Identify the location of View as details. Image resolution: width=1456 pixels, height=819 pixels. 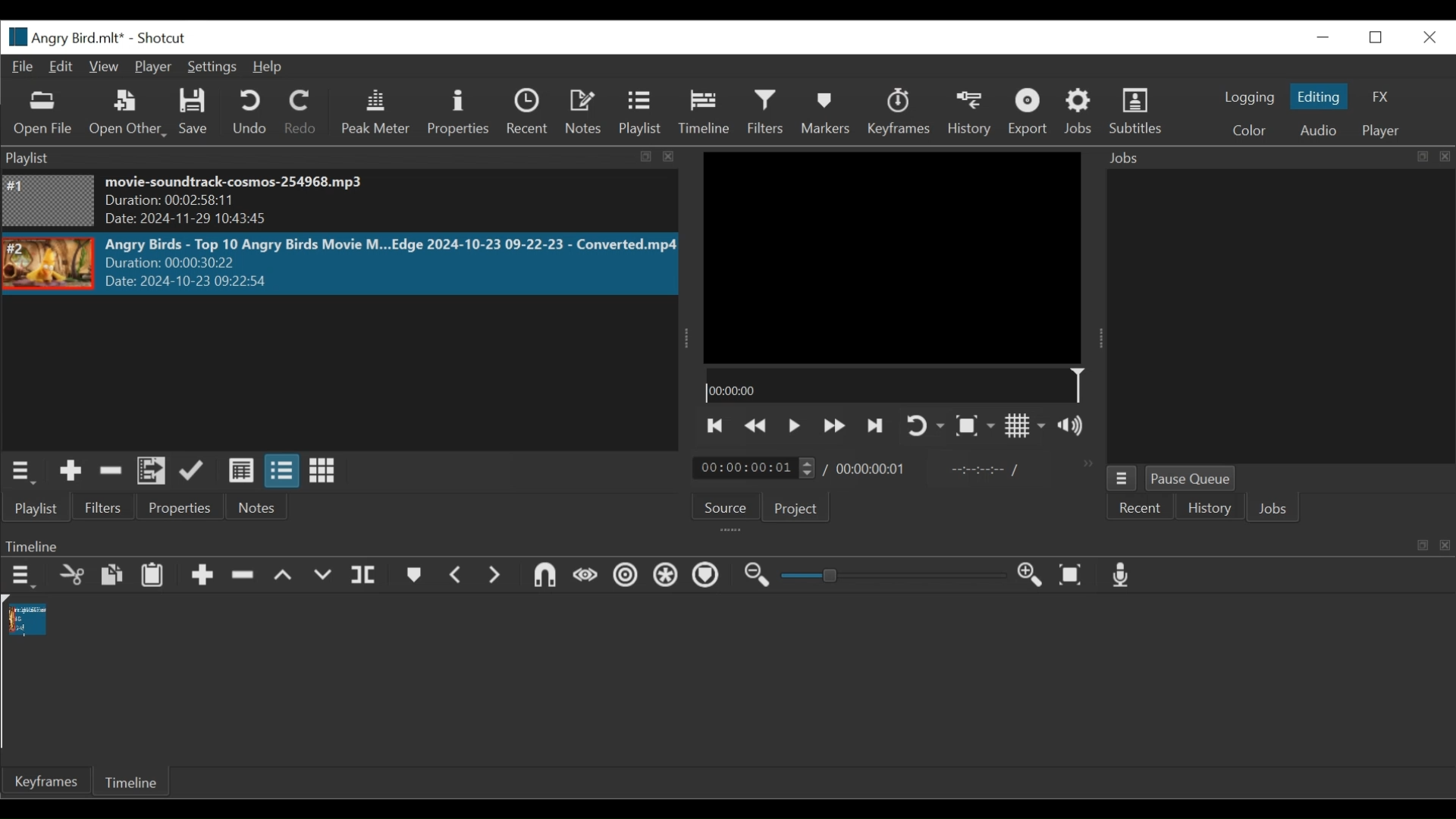
(240, 472).